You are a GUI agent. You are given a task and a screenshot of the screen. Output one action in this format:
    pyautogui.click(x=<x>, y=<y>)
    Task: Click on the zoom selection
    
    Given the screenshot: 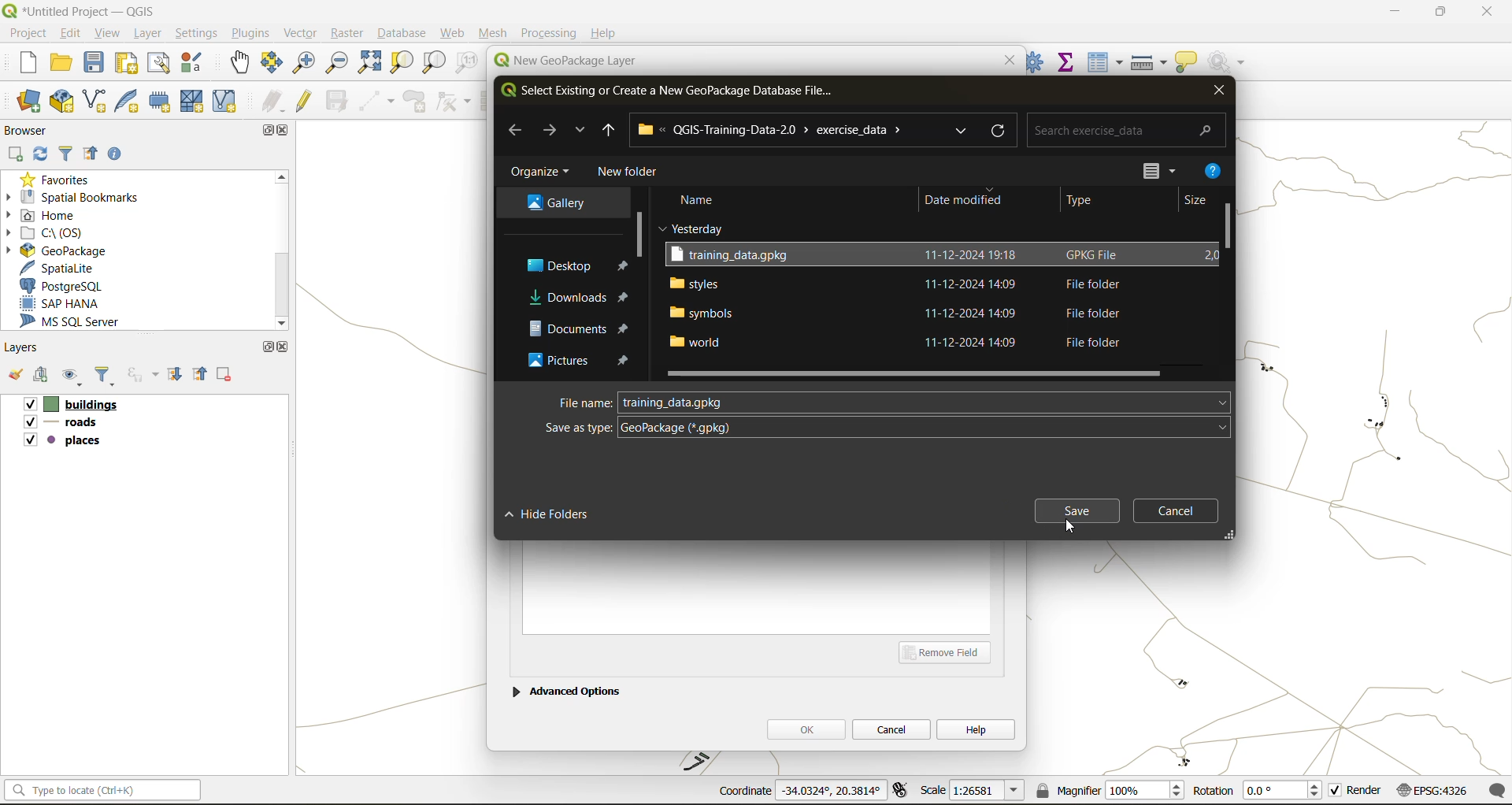 What is the action you would take?
    pyautogui.click(x=404, y=62)
    